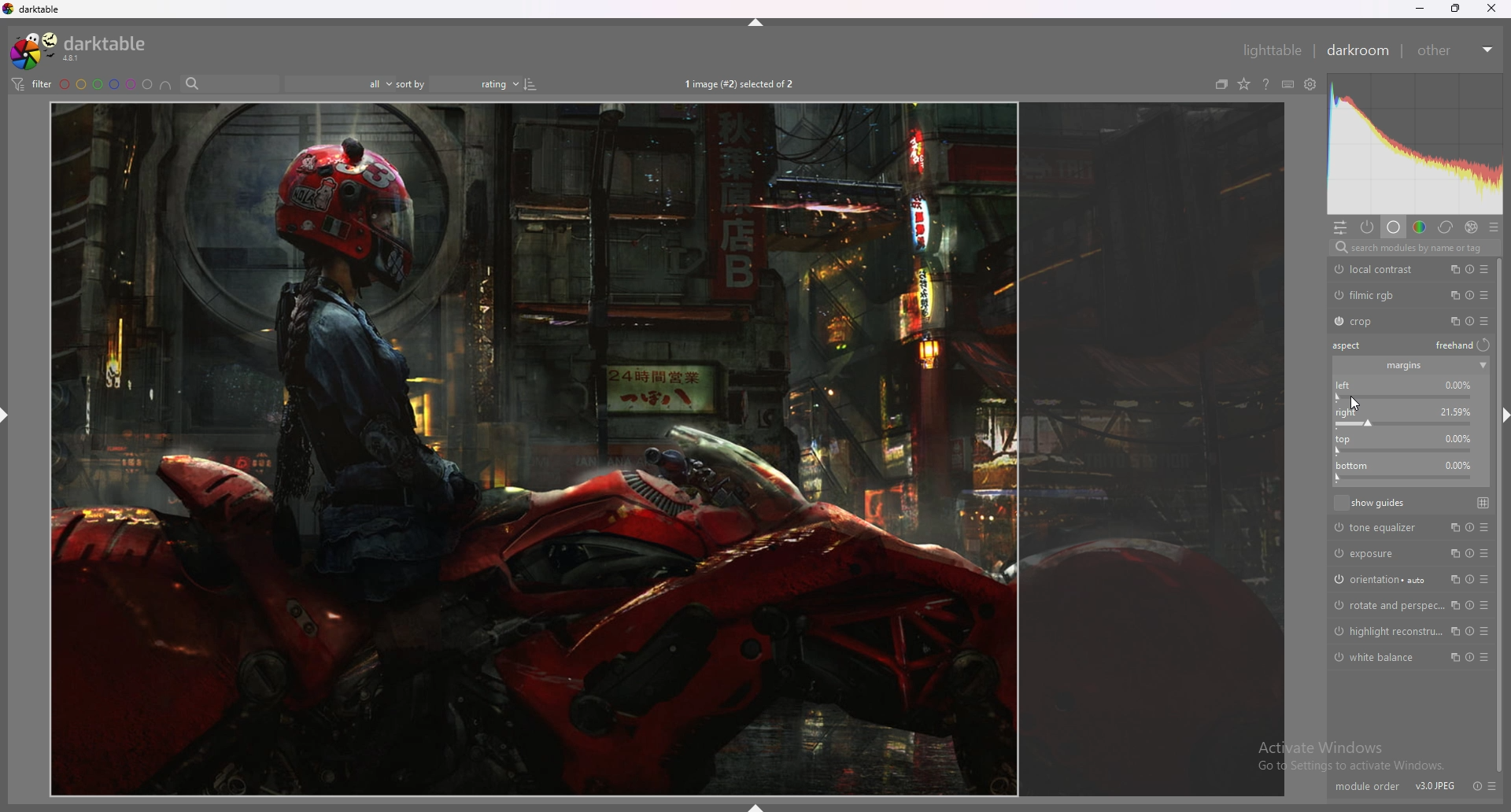  What do you see at coordinates (1493, 786) in the screenshot?
I see `presets` at bounding box center [1493, 786].